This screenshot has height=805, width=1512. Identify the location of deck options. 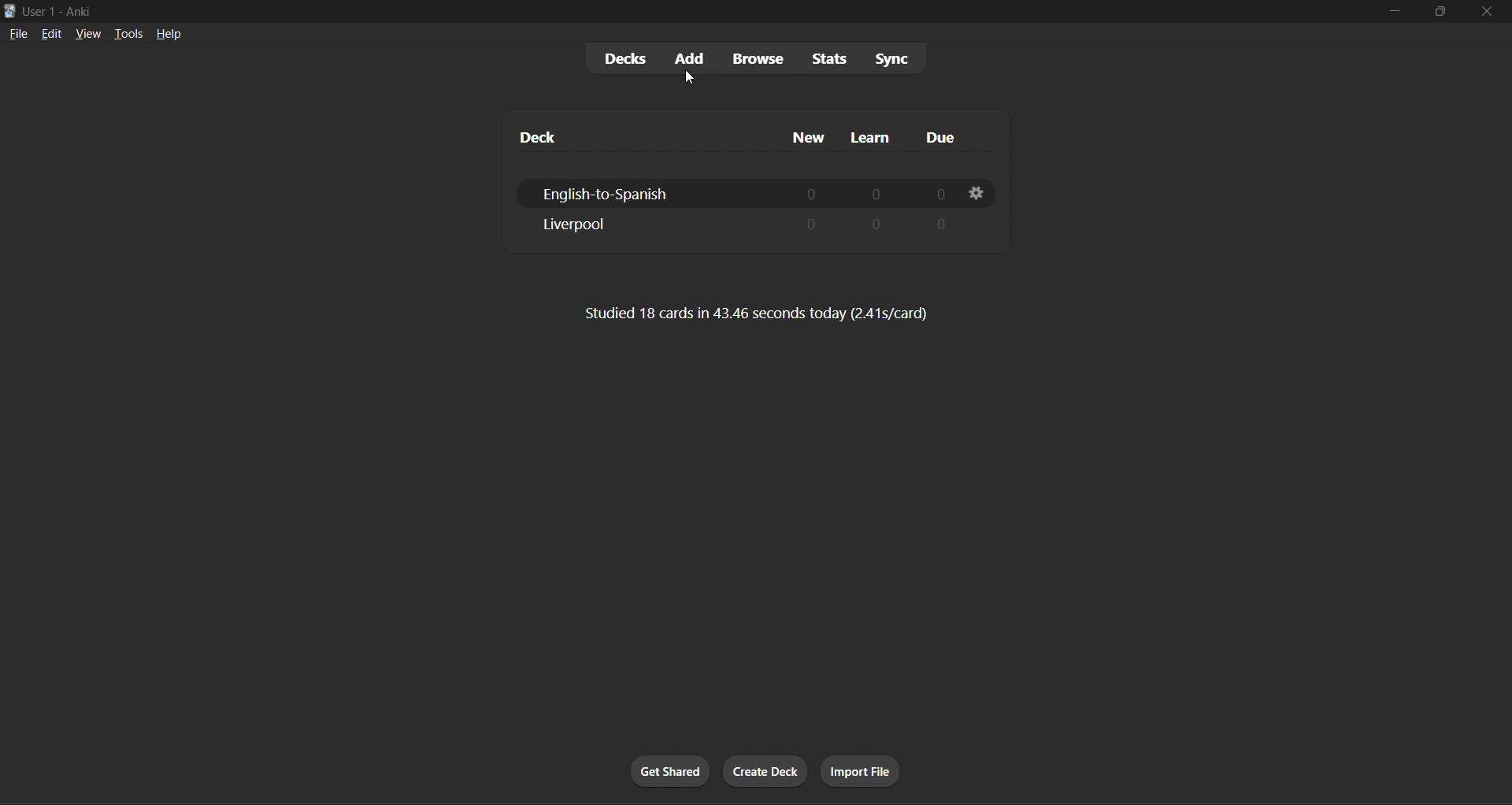
(973, 194).